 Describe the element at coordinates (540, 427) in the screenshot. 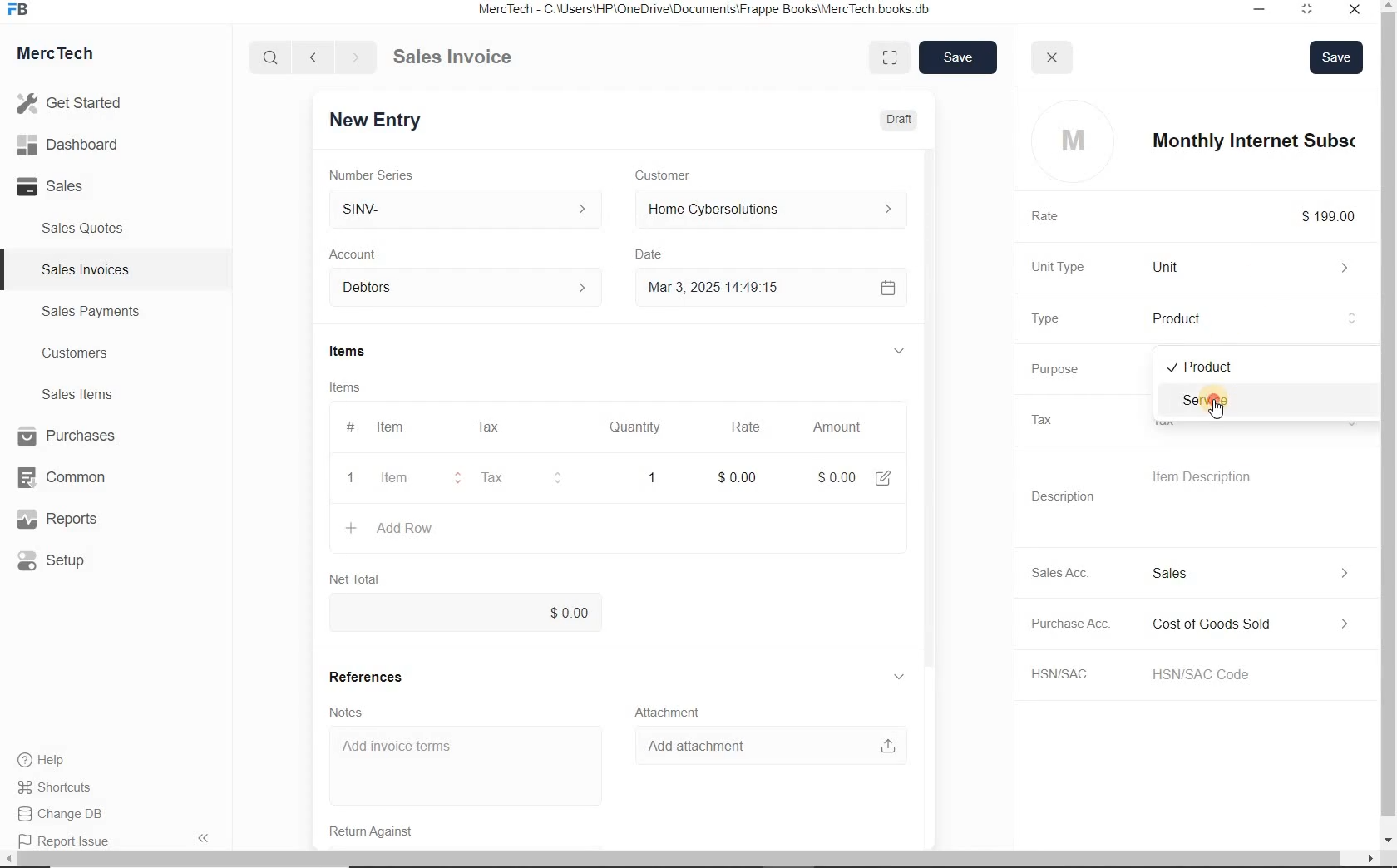

I see `#` at that location.